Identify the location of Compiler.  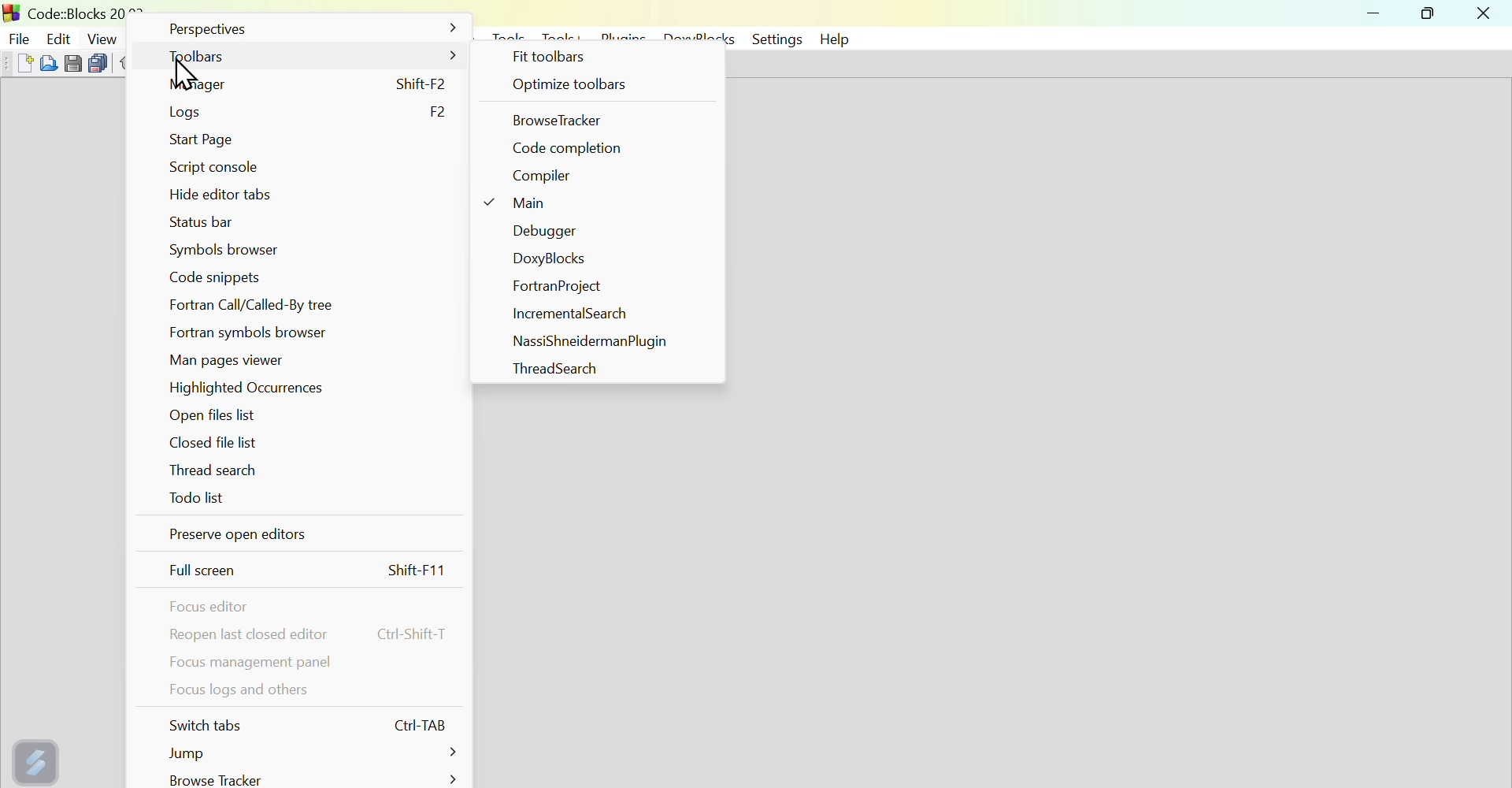
(543, 179).